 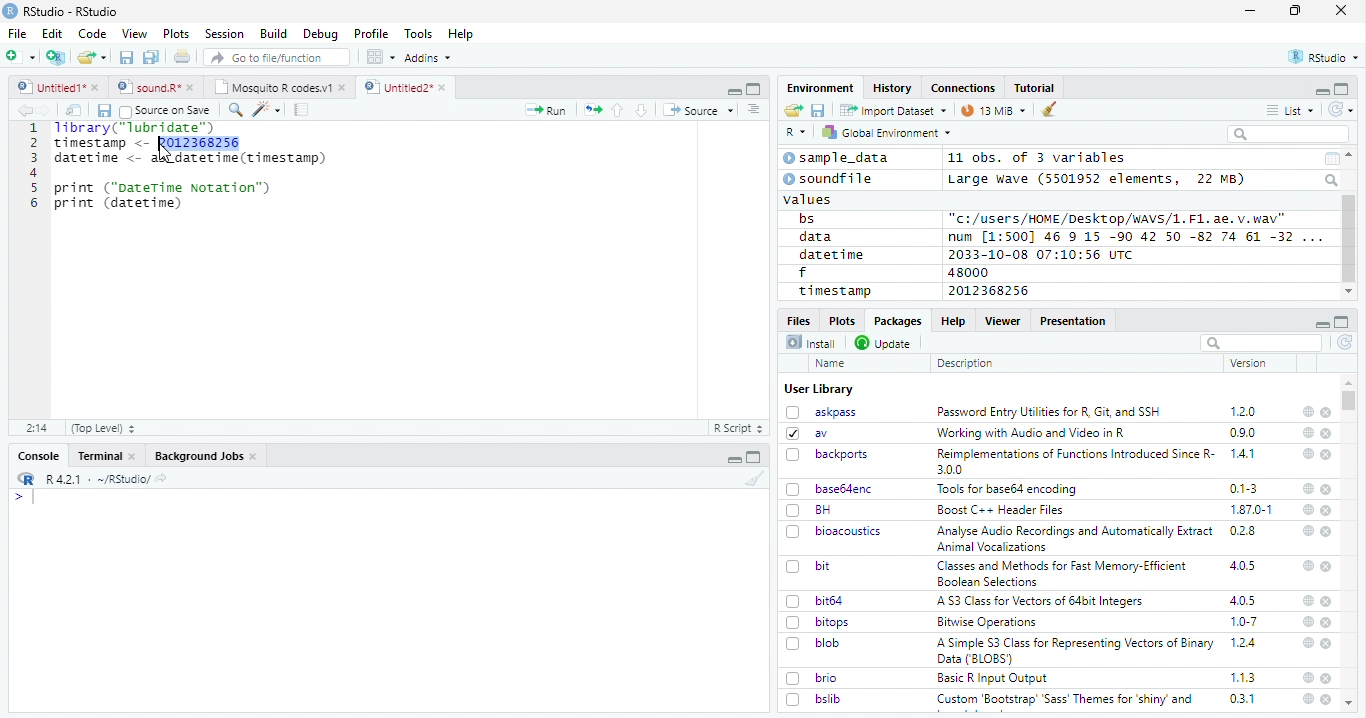 I want to click on Calendar, so click(x=1331, y=159).